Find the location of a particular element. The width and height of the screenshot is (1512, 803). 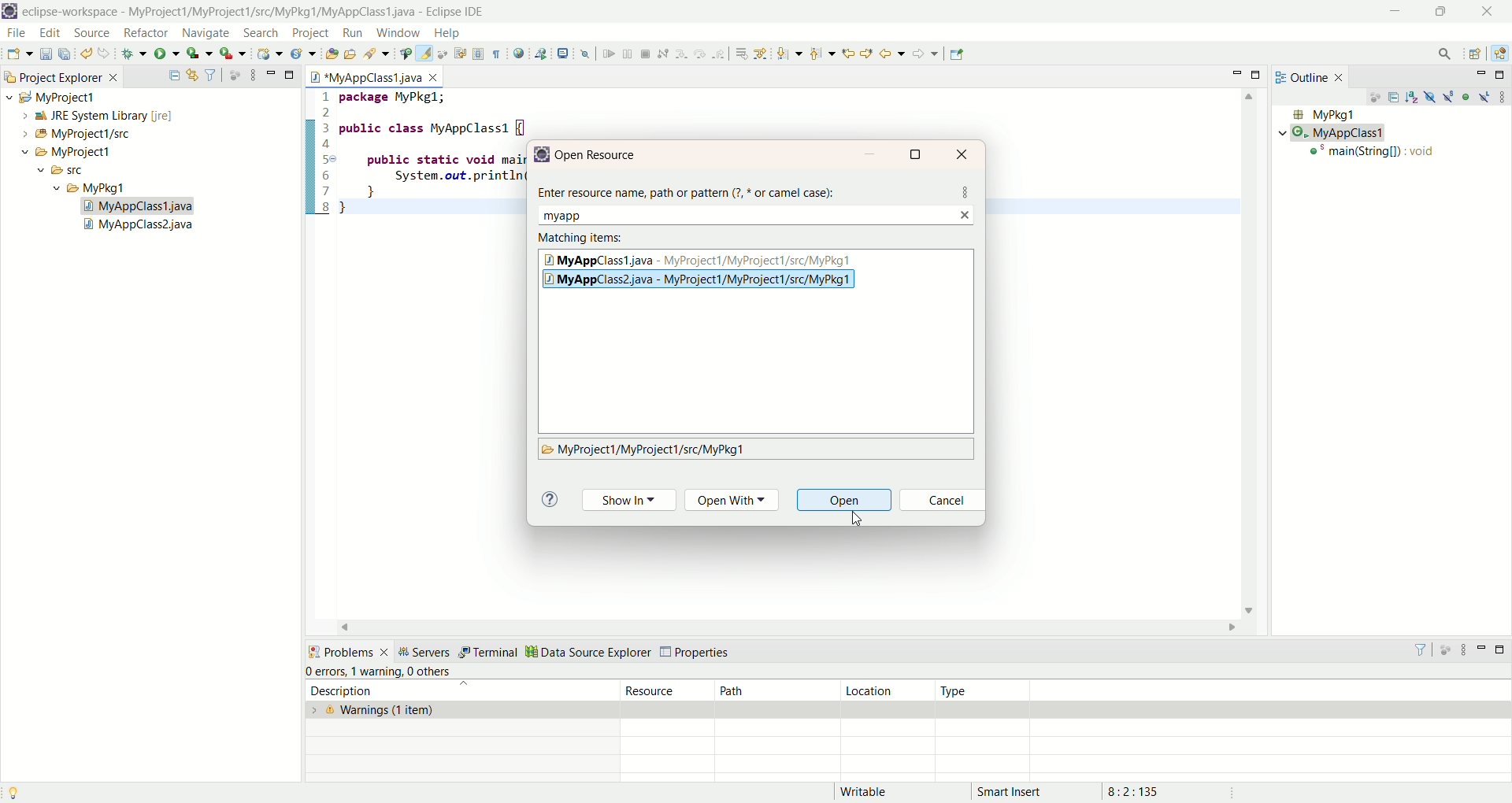

next annotation is located at coordinates (790, 54).